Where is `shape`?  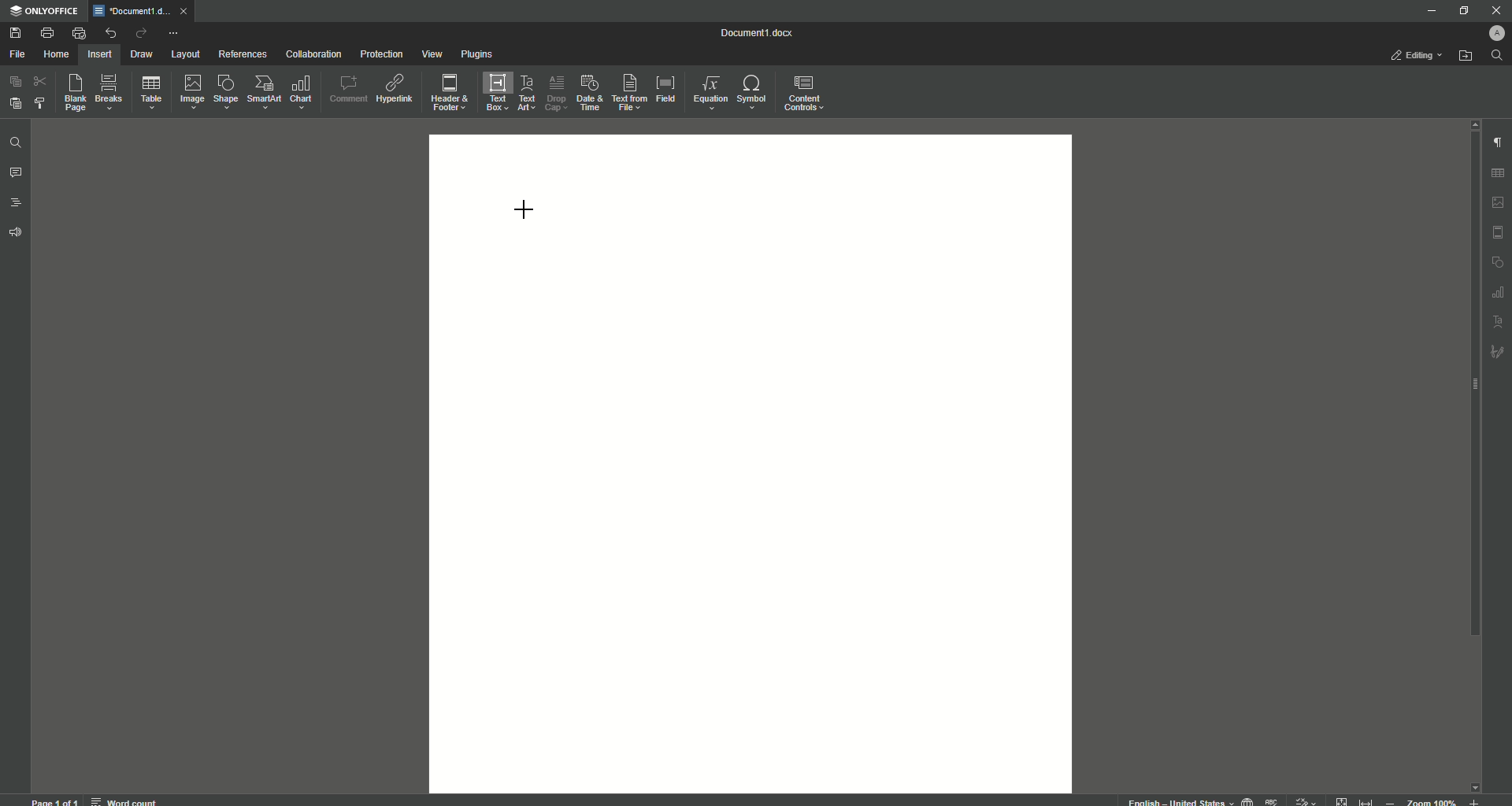 shape is located at coordinates (1498, 263).